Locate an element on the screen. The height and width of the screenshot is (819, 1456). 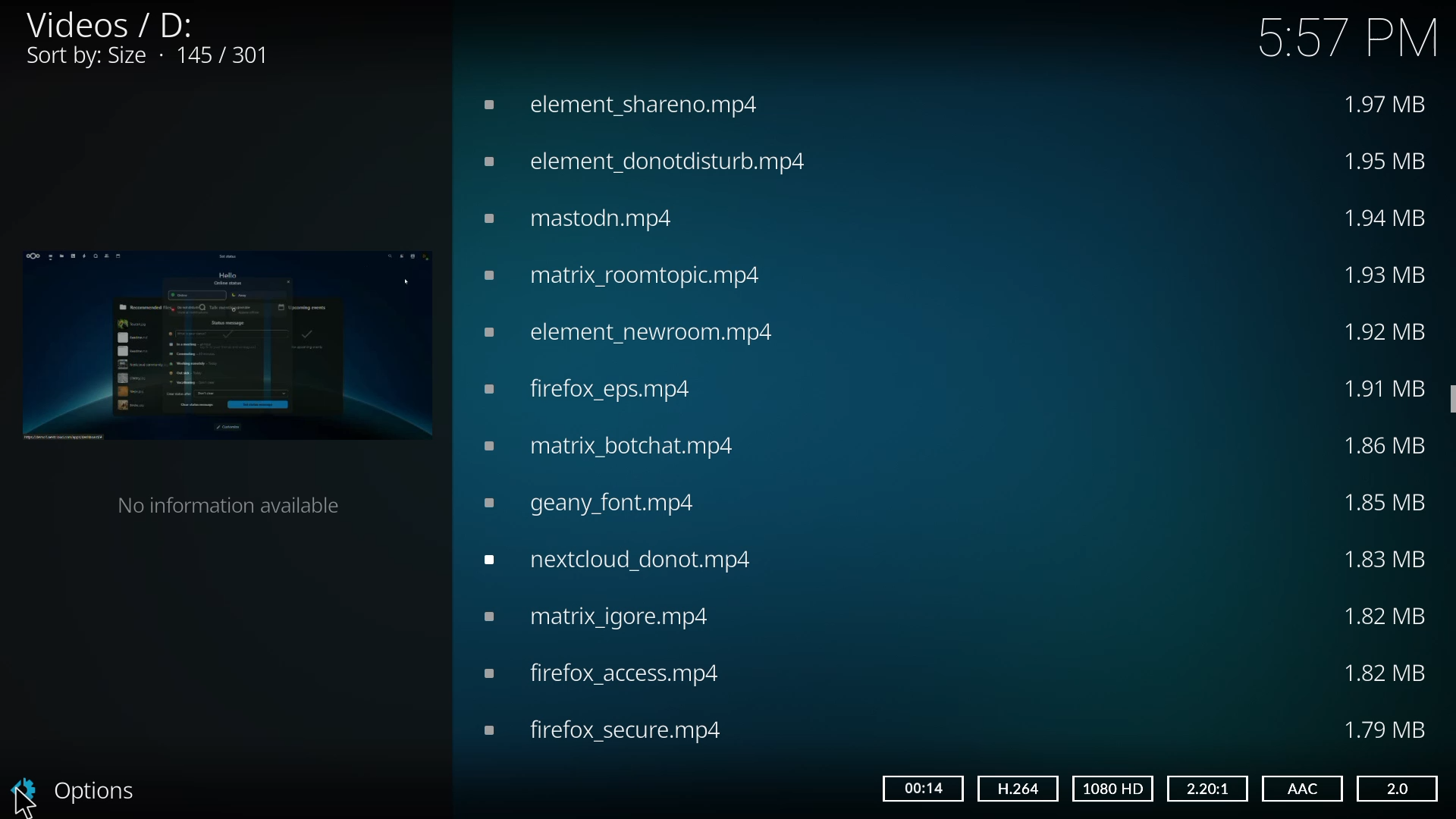
size is located at coordinates (1389, 105).